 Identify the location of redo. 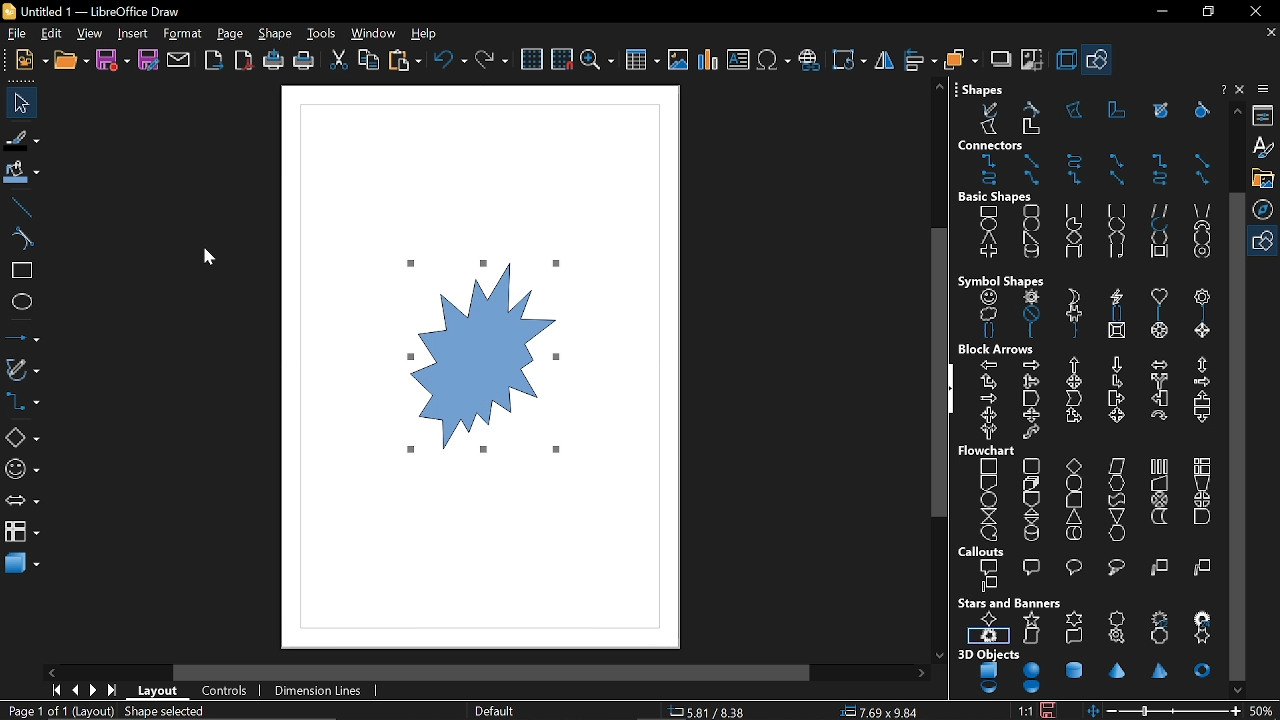
(492, 62).